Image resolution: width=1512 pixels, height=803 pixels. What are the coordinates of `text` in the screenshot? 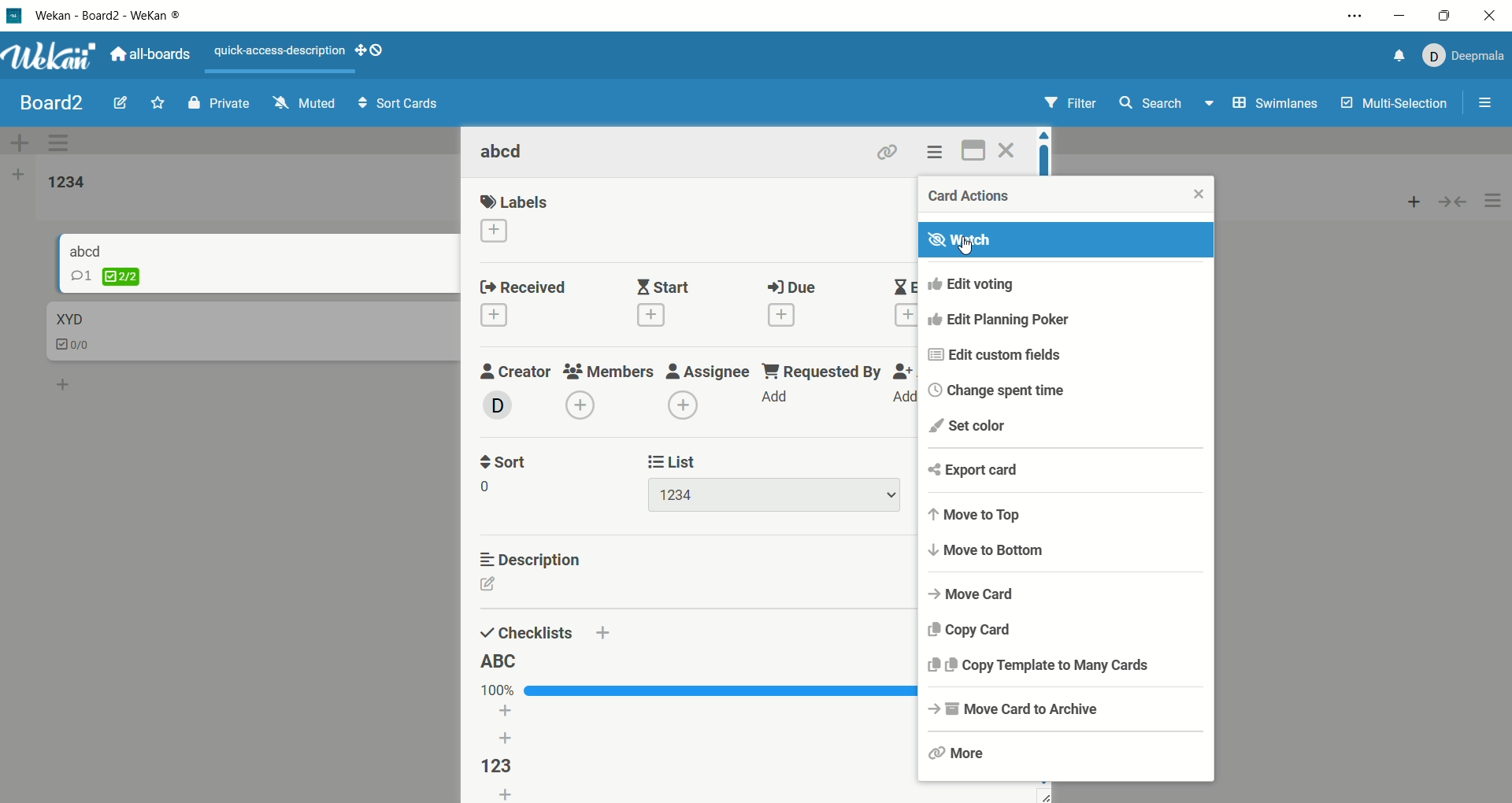 It's located at (281, 52).